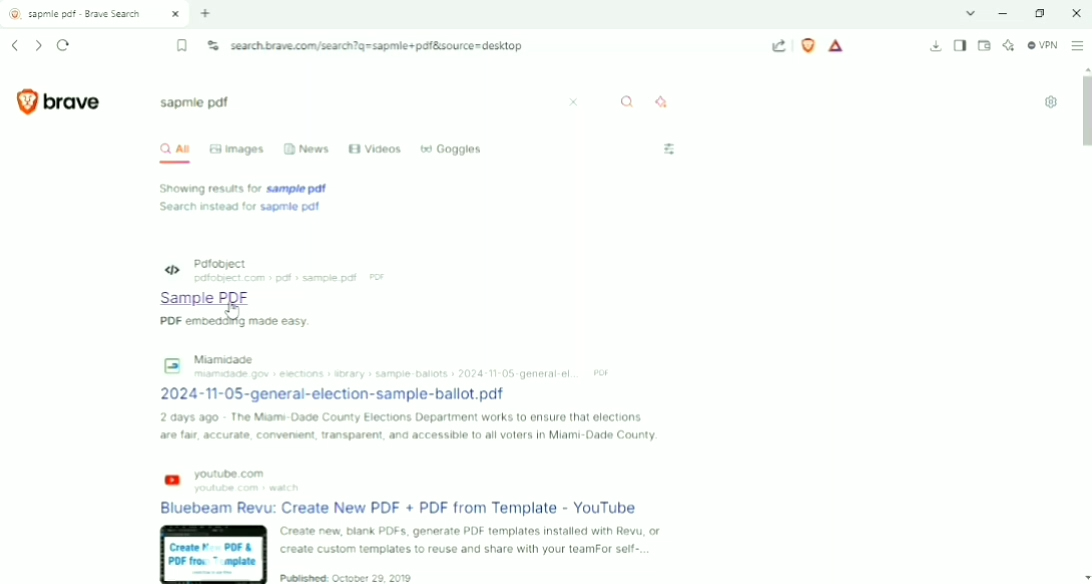  I want to click on Rewards, so click(837, 46).